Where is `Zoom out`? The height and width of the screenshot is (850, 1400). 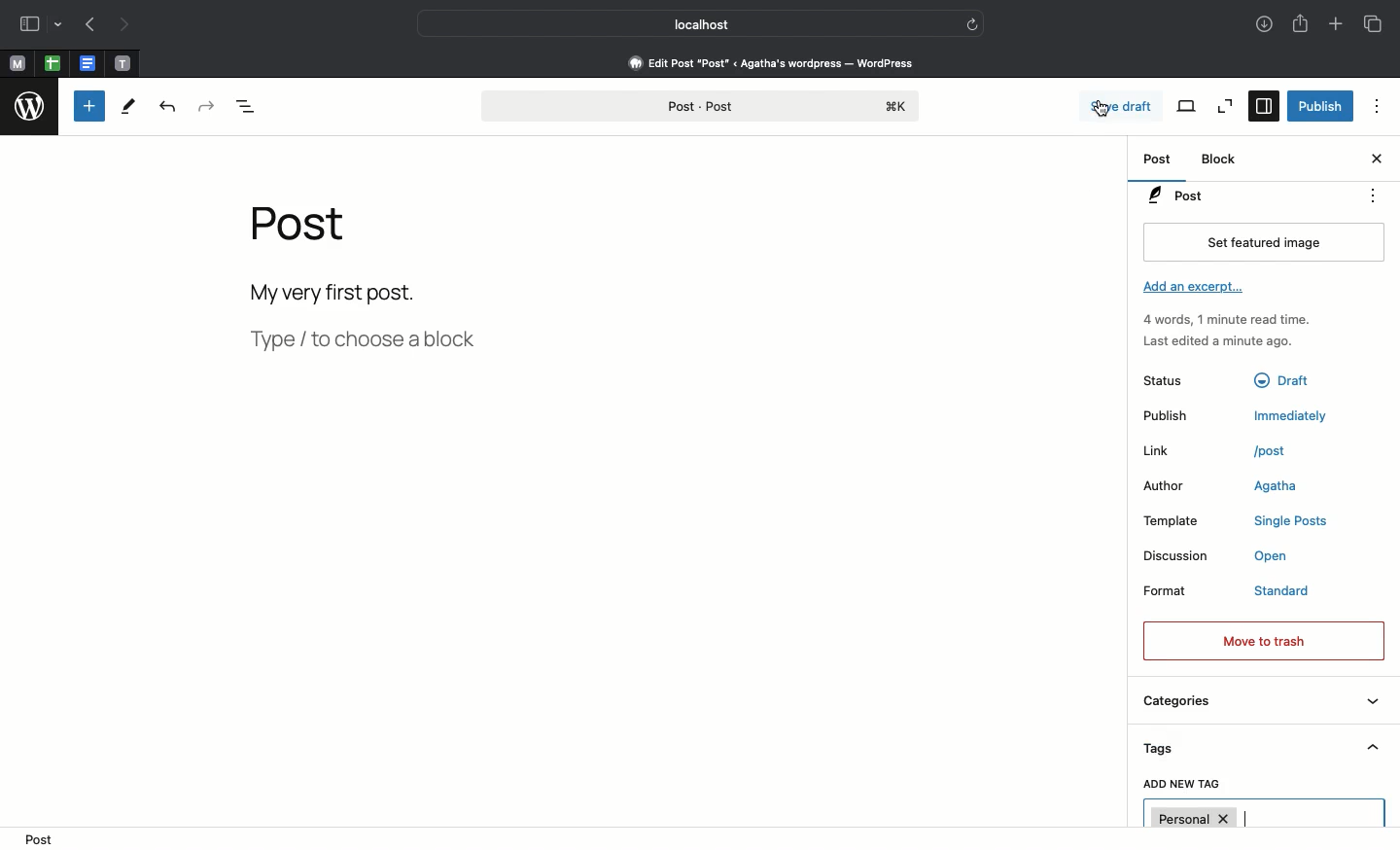
Zoom out is located at coordinates (1225, 105).